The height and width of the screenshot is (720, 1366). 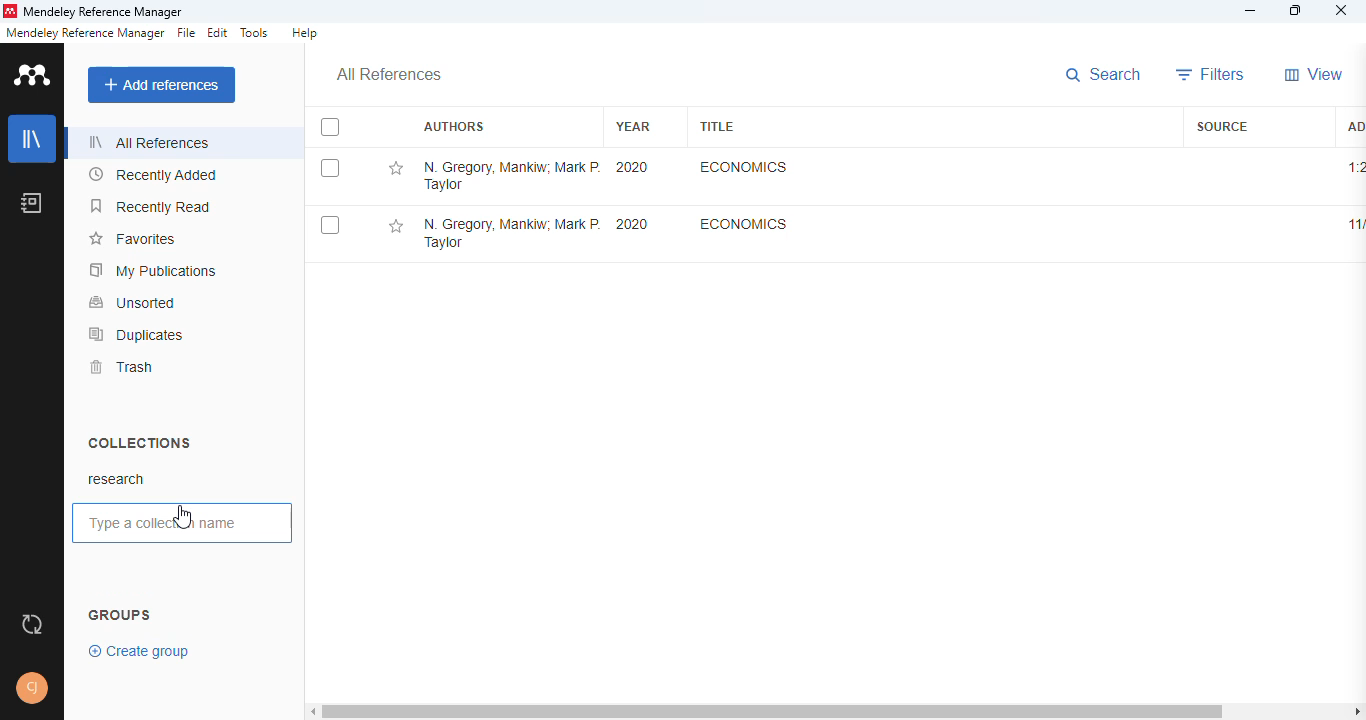 What do you see at coordinates (1355, 167) in the screenshot?
I see `1:20` at bounding box center [1355, 167].